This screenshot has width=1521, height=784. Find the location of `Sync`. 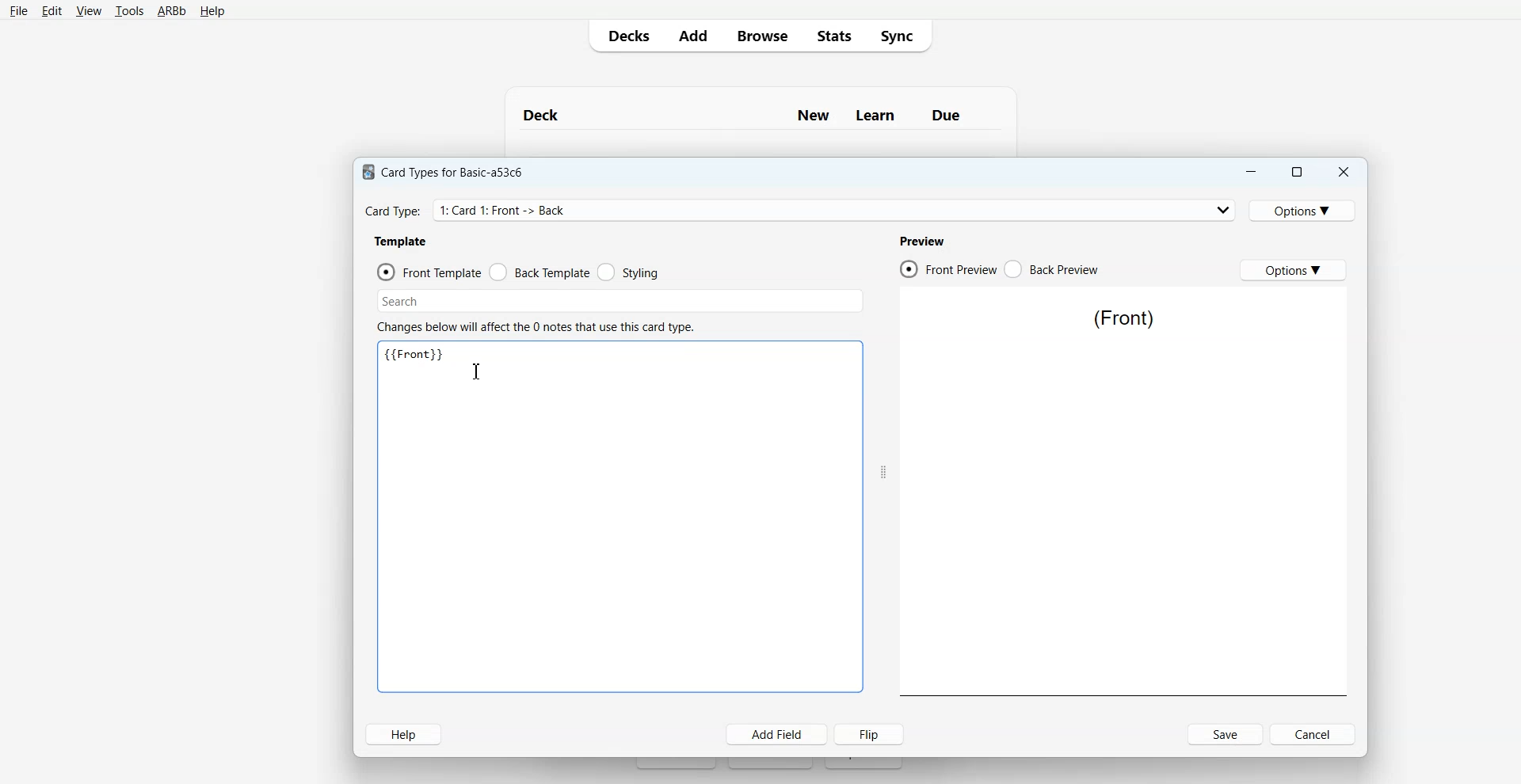

Sync is located at coordinates (902, 35).